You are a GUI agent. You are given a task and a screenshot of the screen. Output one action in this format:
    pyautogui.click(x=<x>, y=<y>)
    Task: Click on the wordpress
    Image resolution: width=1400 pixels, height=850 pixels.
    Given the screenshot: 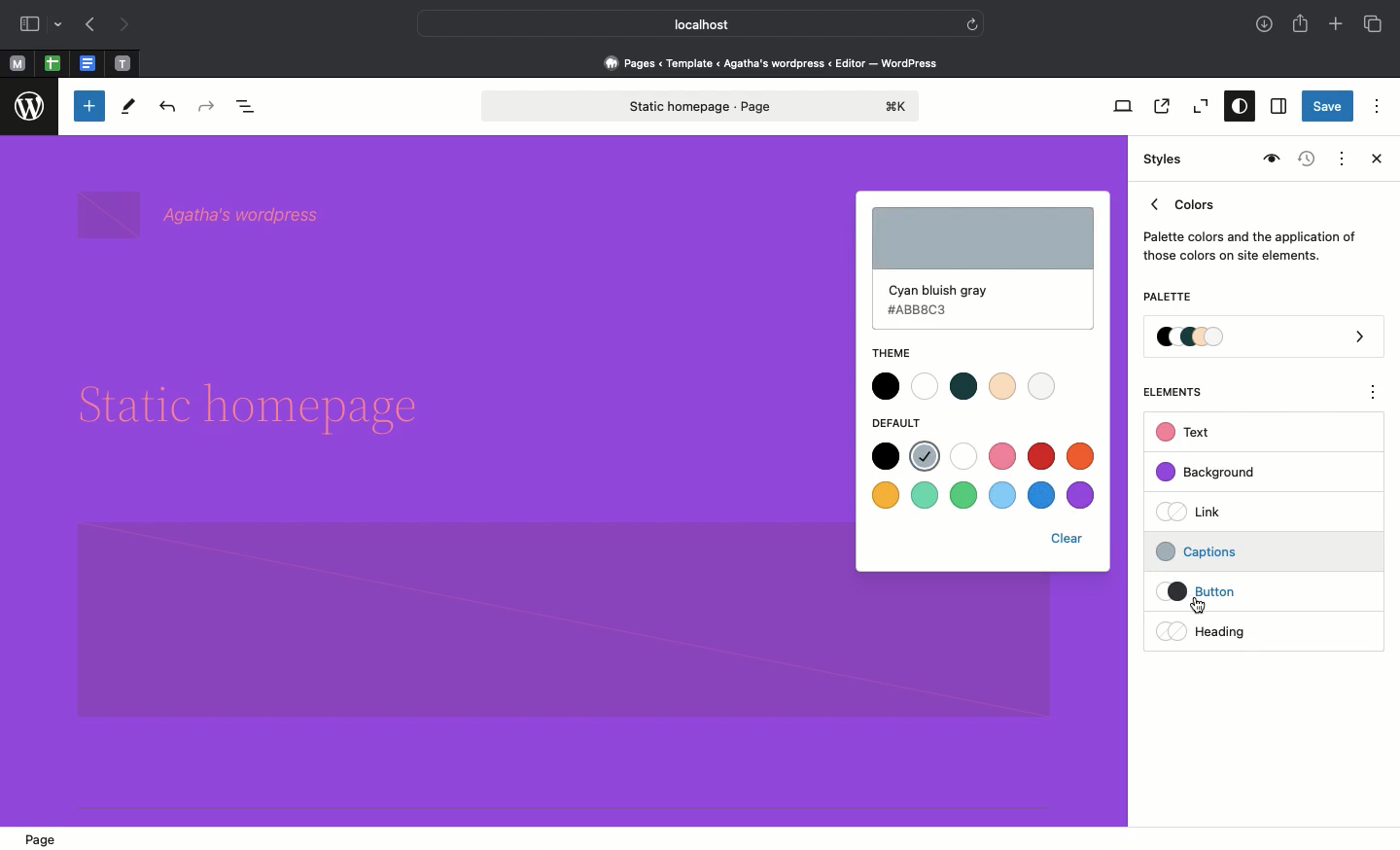 What is the action you would take?
    pyautogui.click(x=30, y=107)
    